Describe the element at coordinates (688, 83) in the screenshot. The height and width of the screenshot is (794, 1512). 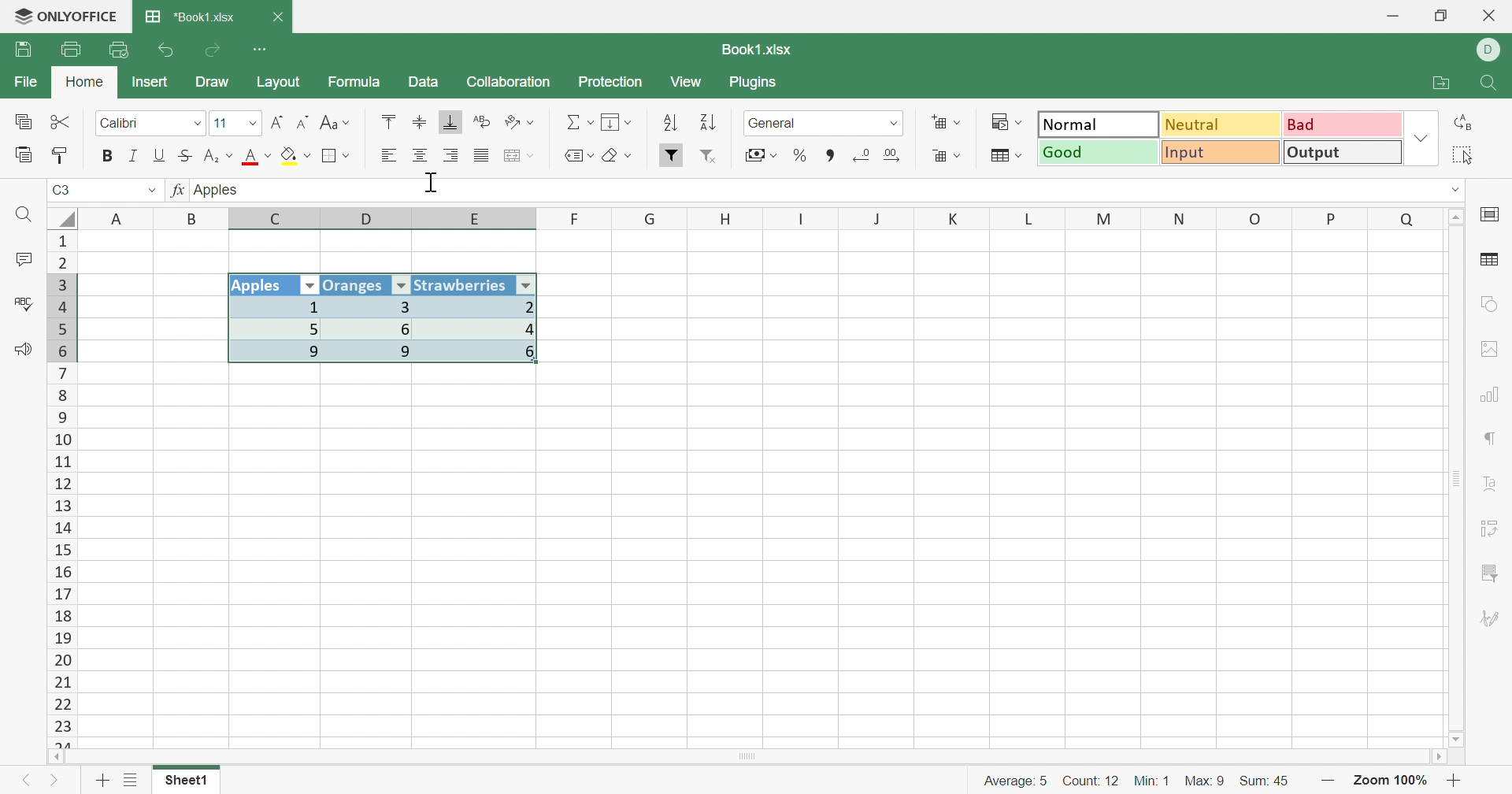
I see `View` at that location.